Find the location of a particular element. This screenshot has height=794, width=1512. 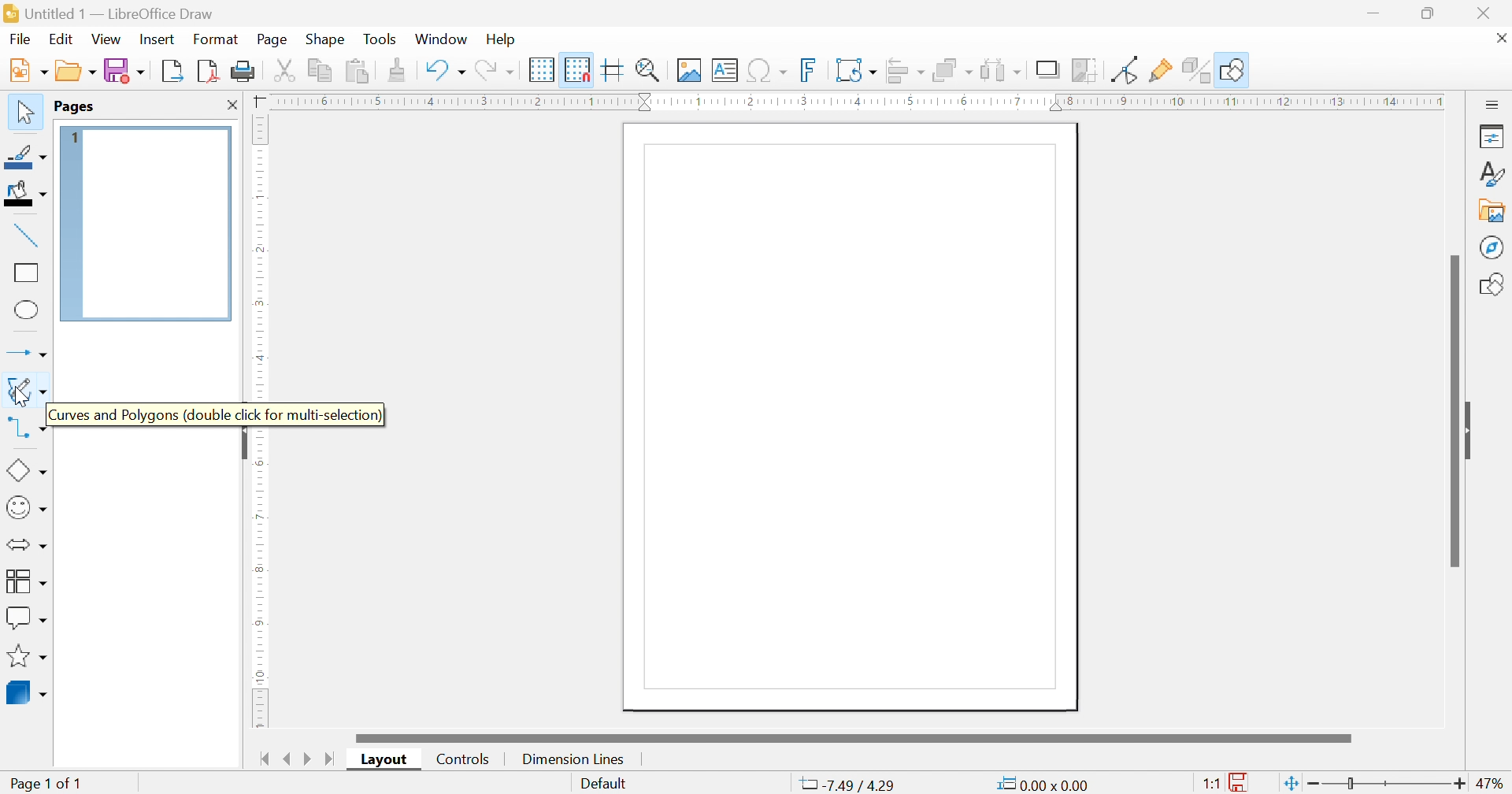

new is located at coordinates (28, 70).